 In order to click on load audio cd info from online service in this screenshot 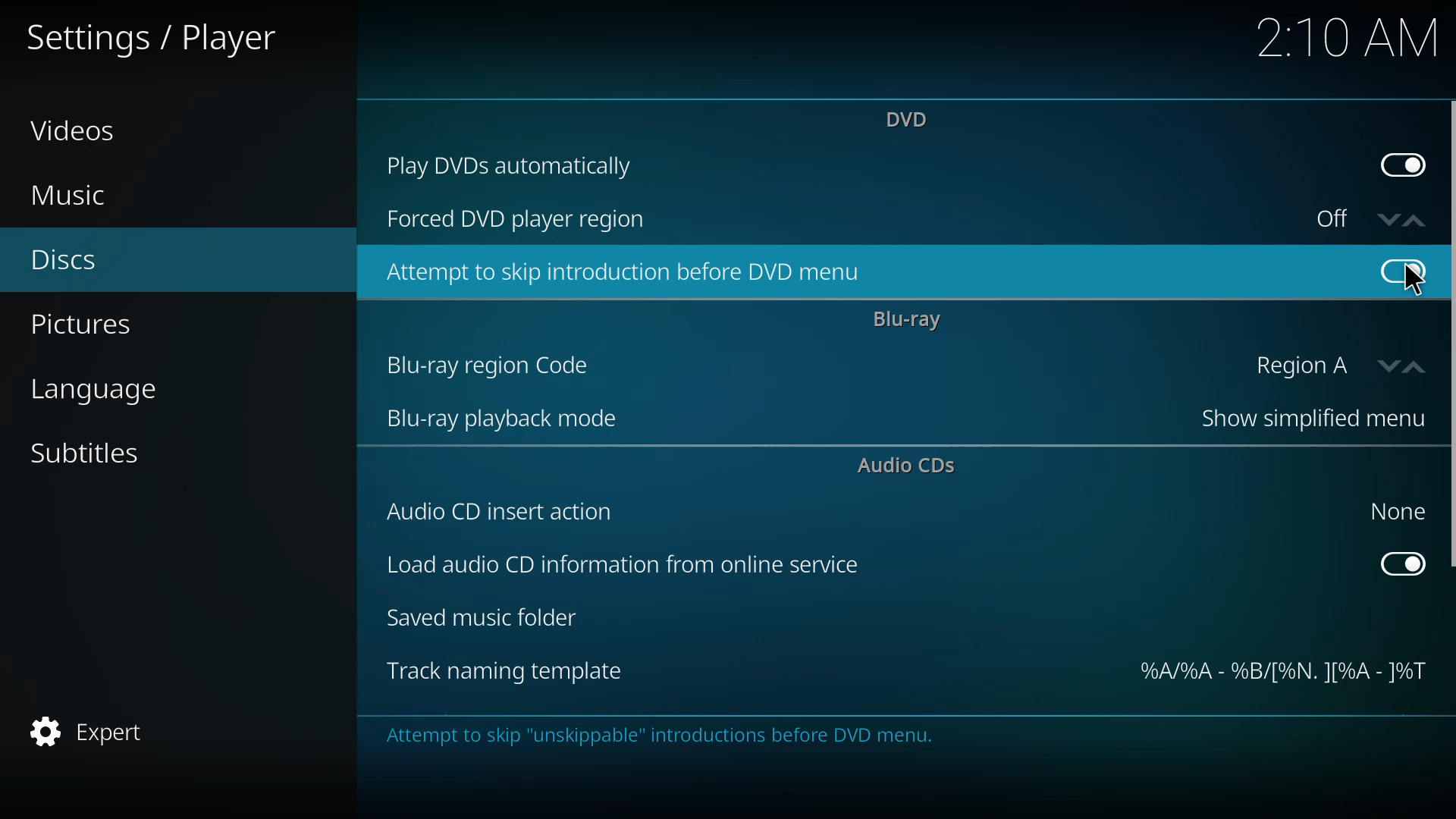, I will do `click(635, 567)`.